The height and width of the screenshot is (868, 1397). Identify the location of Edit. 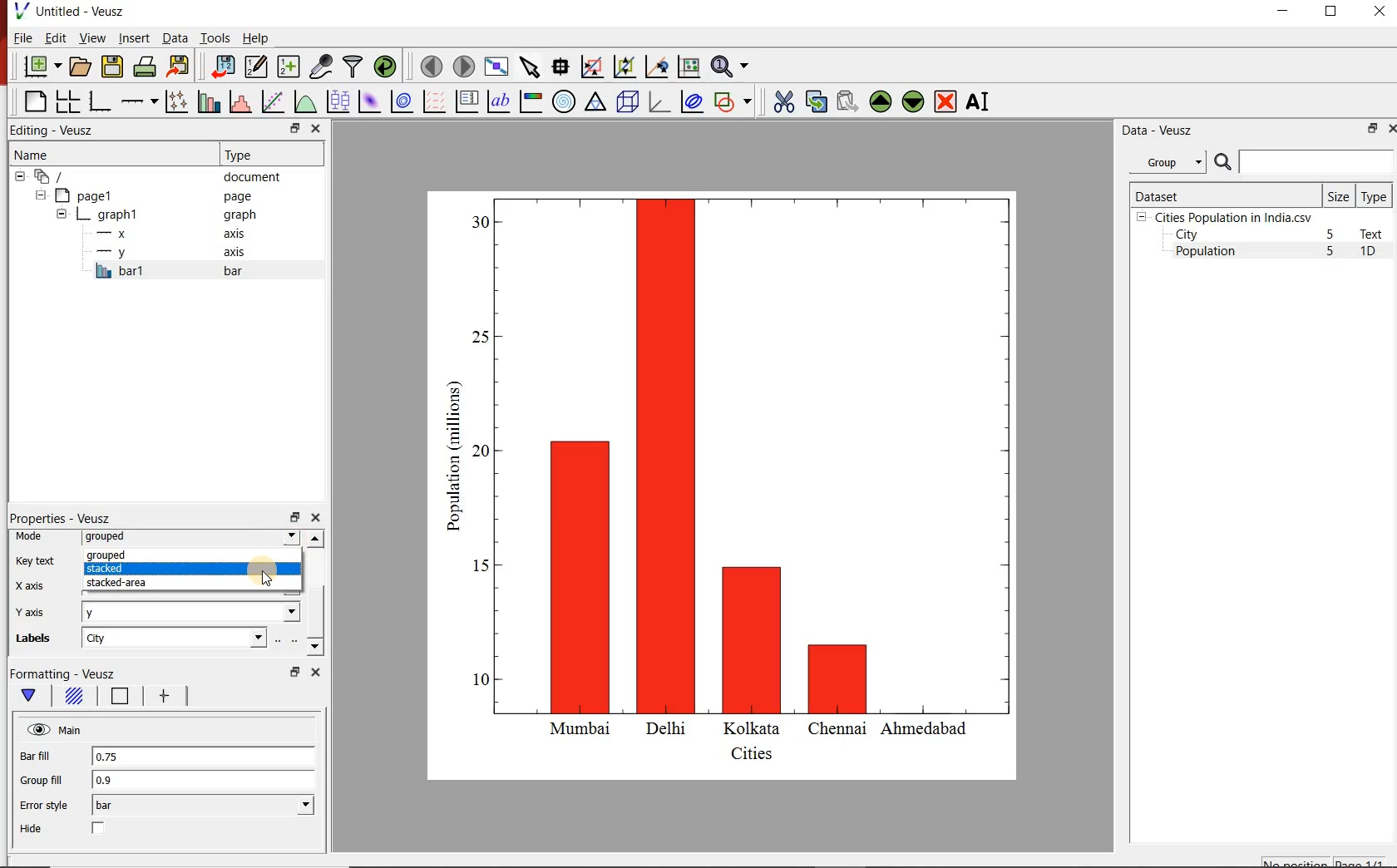
(54, 38).